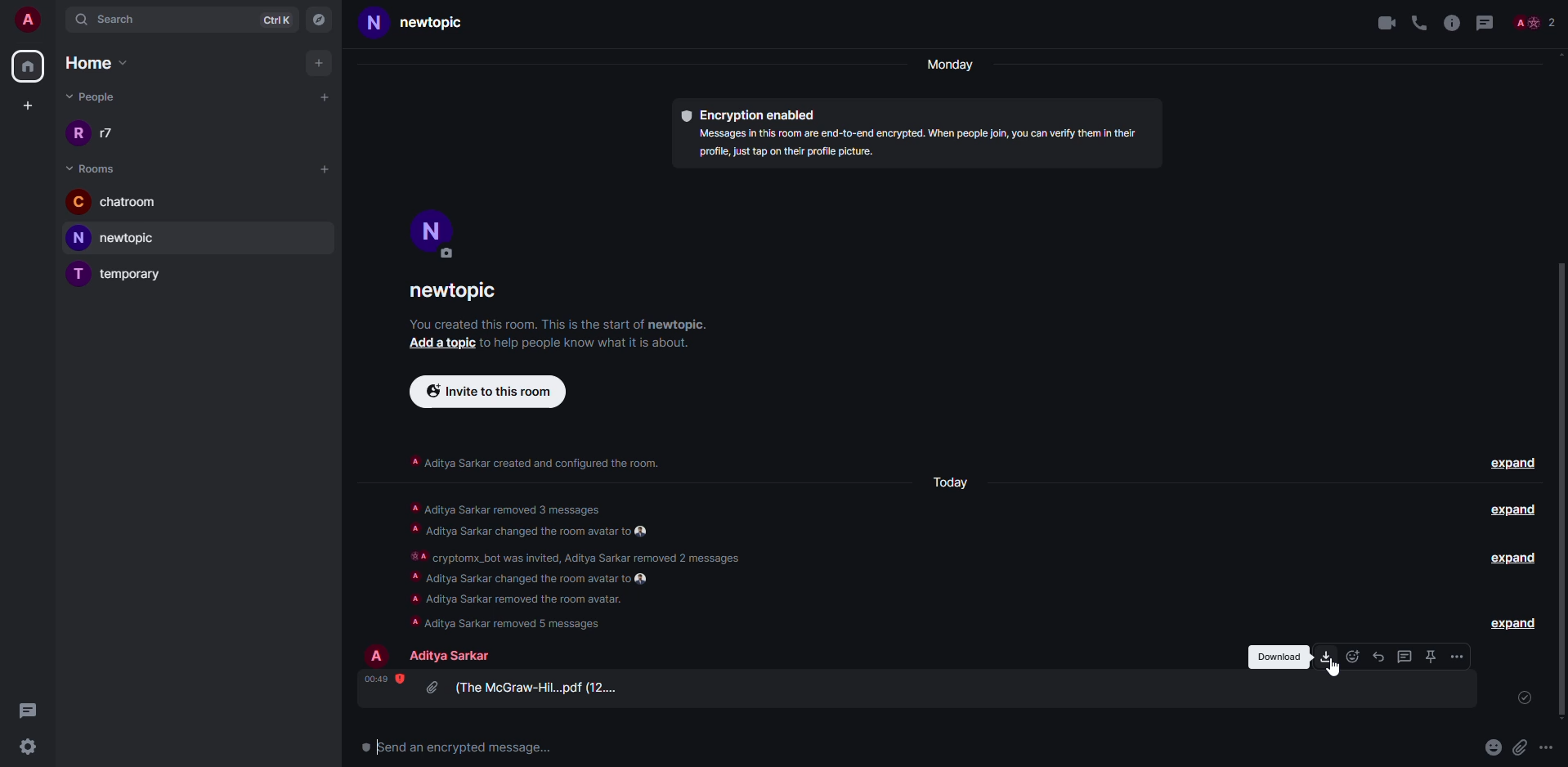 The height and width of the screenshot is (767, 1568). I want to click on react, so click(1351, 656).